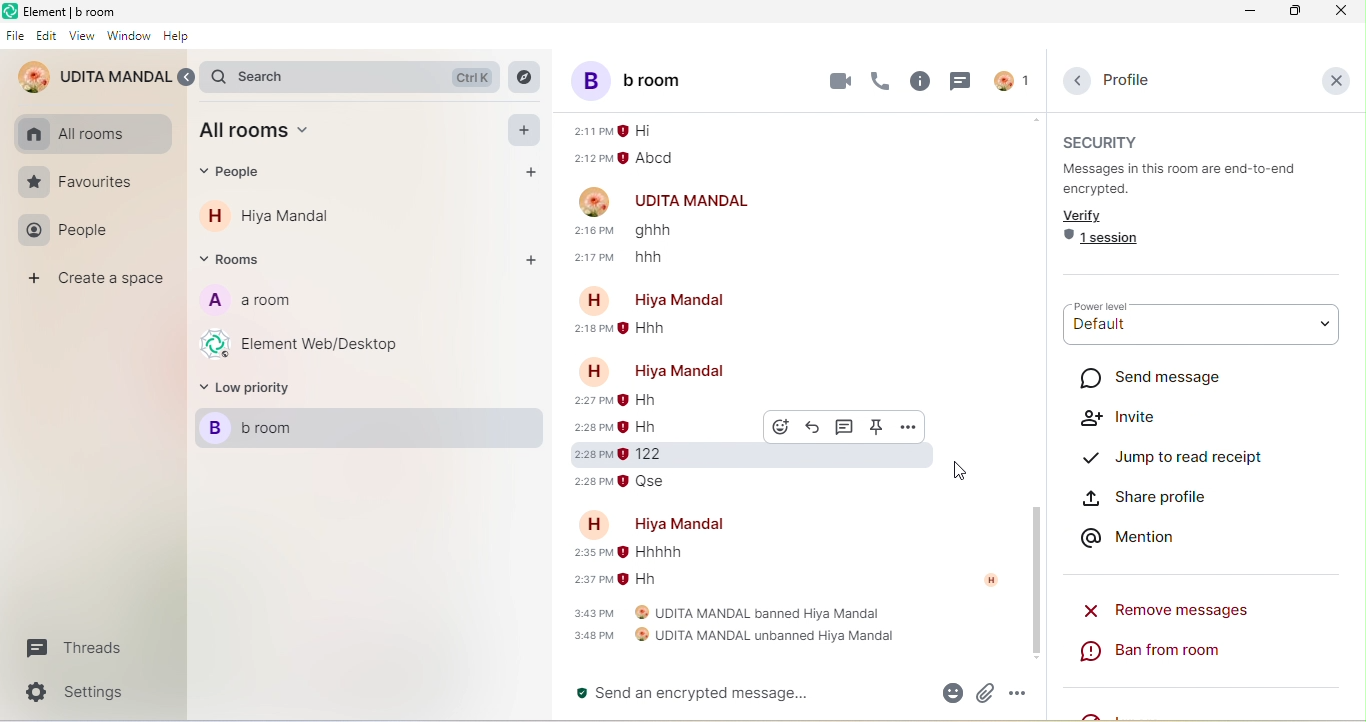  Describe the element at coordinates (306, 343) in the screenshot. I see `element web/desktop` at that location.